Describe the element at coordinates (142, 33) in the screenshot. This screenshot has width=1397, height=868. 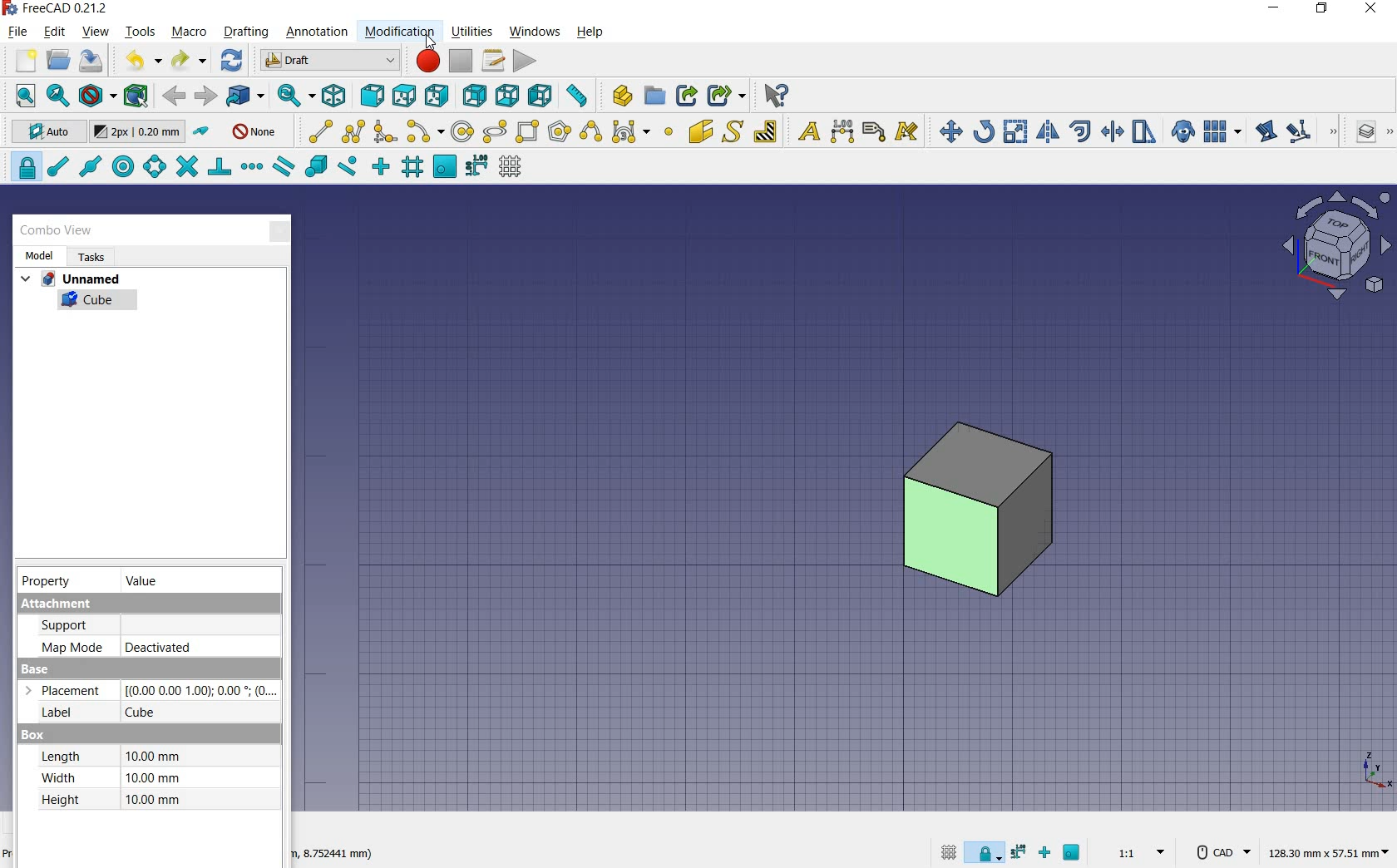
I see `tools` at that location.